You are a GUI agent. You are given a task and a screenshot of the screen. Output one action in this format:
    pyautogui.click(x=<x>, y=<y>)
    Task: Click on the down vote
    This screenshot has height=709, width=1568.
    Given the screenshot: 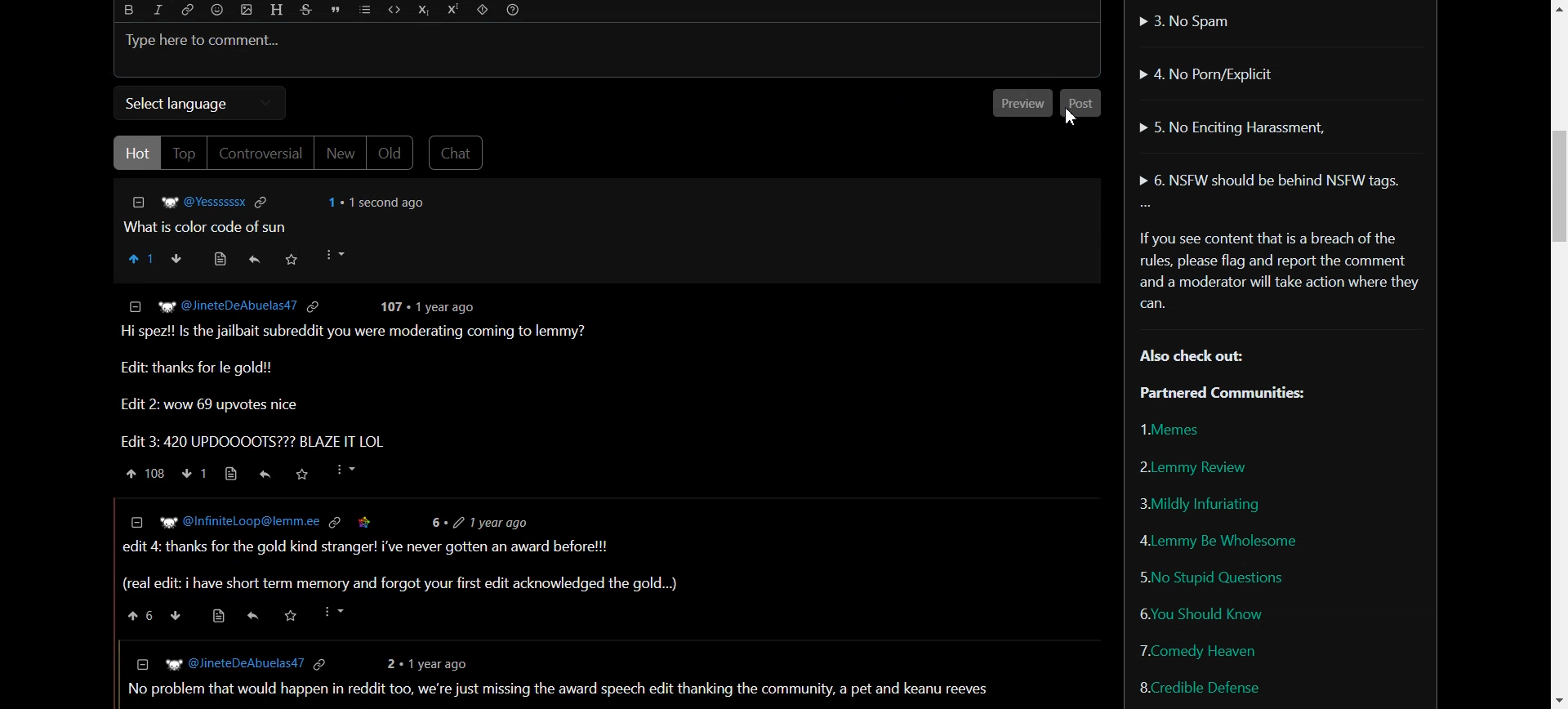 What is the action you would take?
    pyautogui.click(x=180, y=615)
    